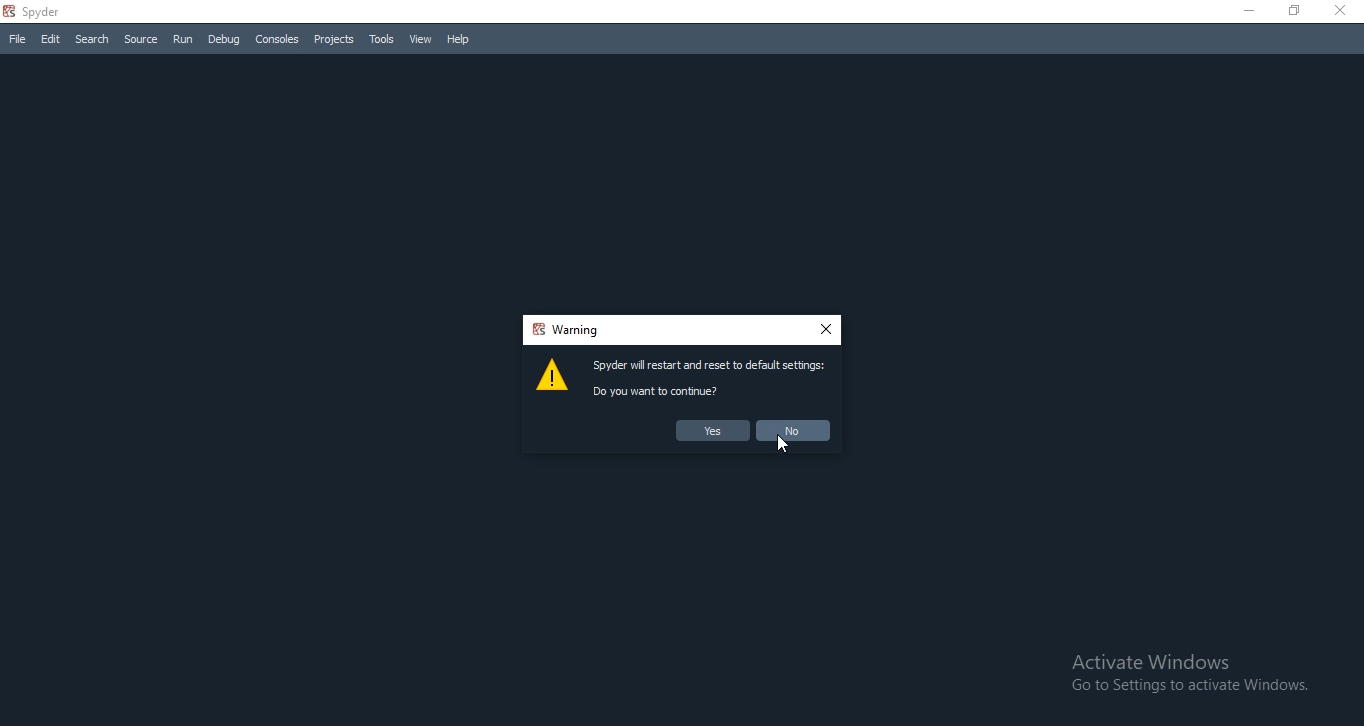  I want to click on Source, so click(142, 38).